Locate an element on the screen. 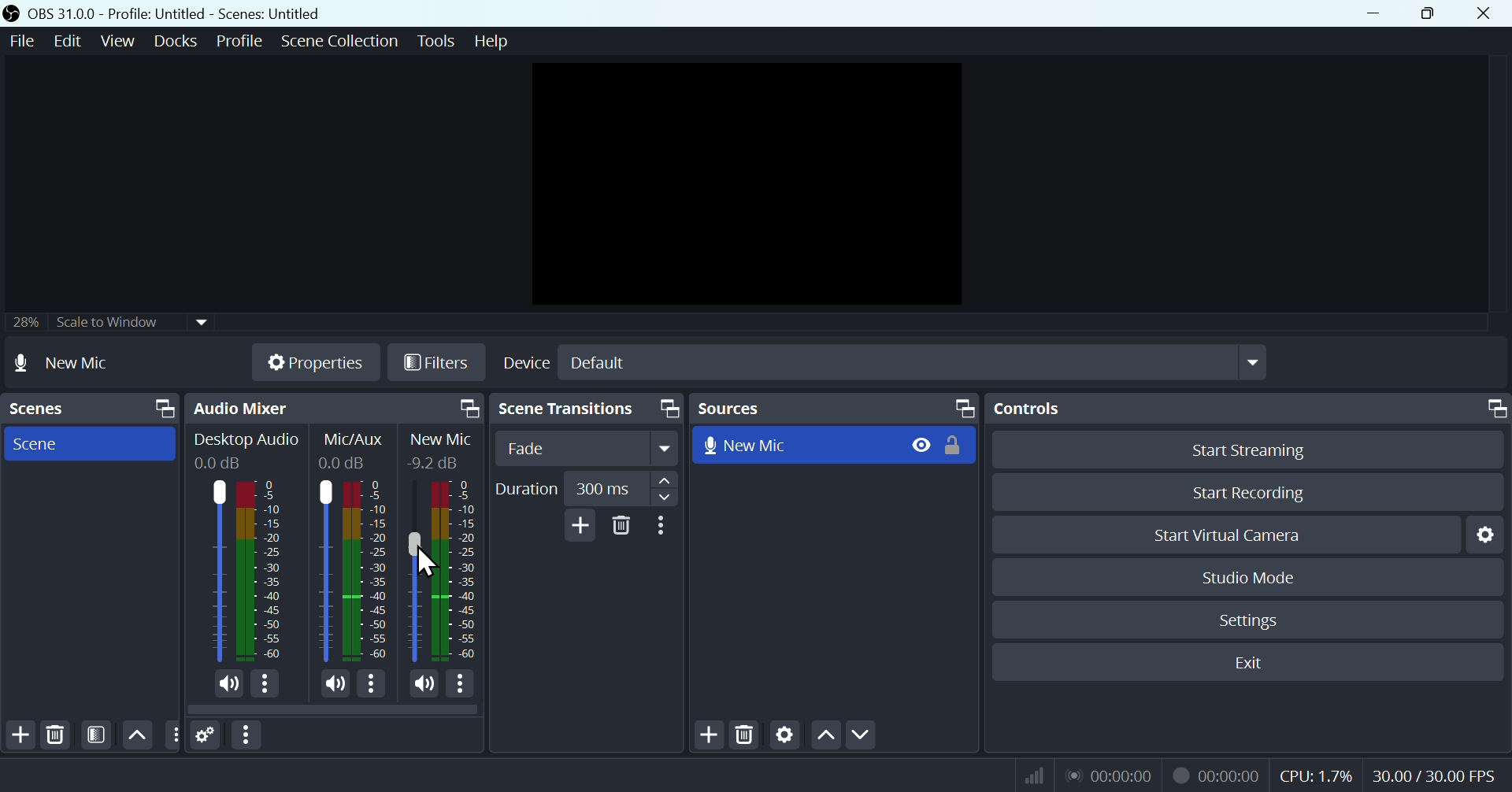  Docks is located at coordinates (179, 41).